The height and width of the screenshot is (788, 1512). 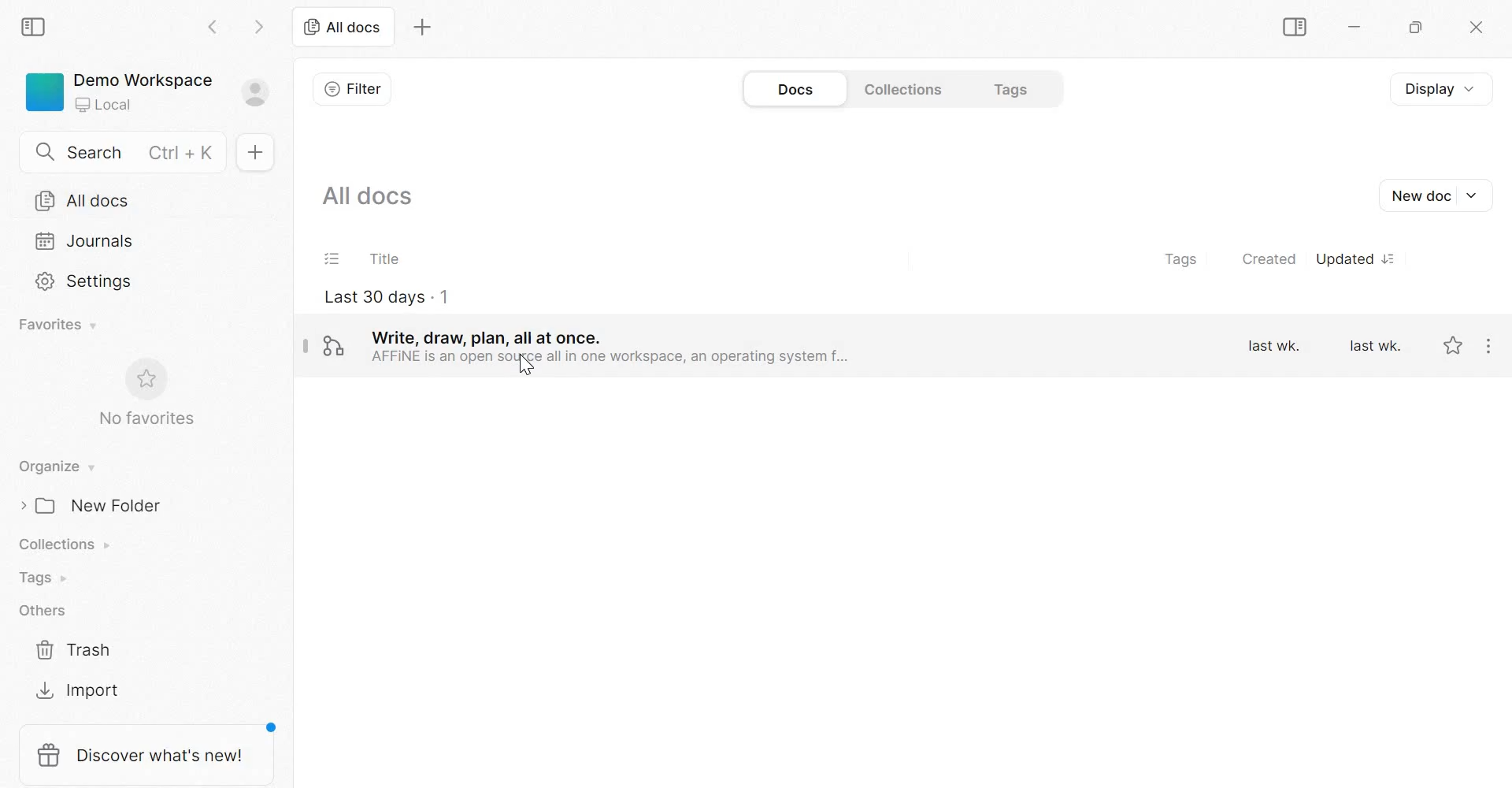 I want to click on Maximize, so click(x=1417, y=28).